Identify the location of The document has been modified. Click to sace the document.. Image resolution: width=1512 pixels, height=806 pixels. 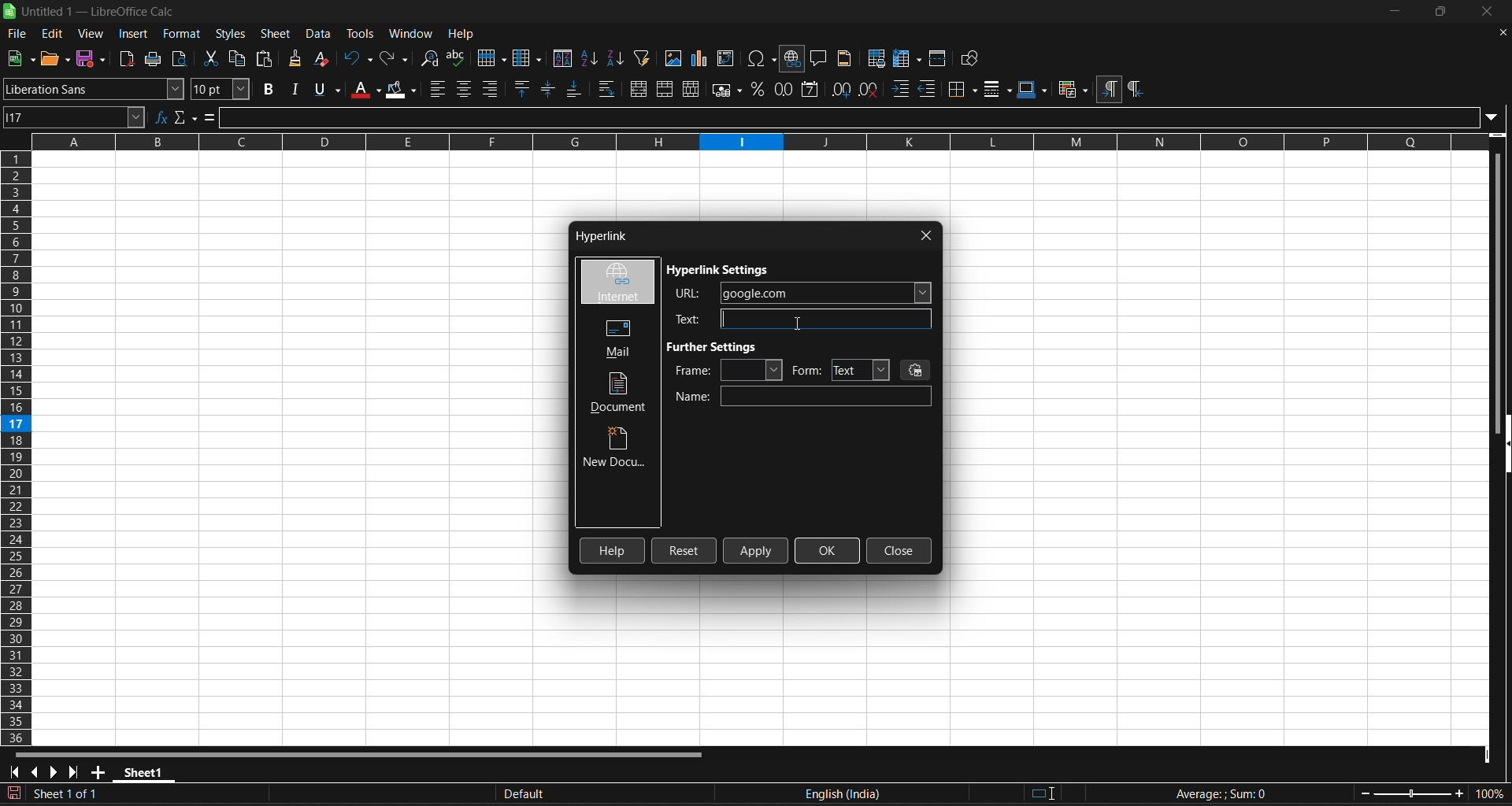
(250, 795).